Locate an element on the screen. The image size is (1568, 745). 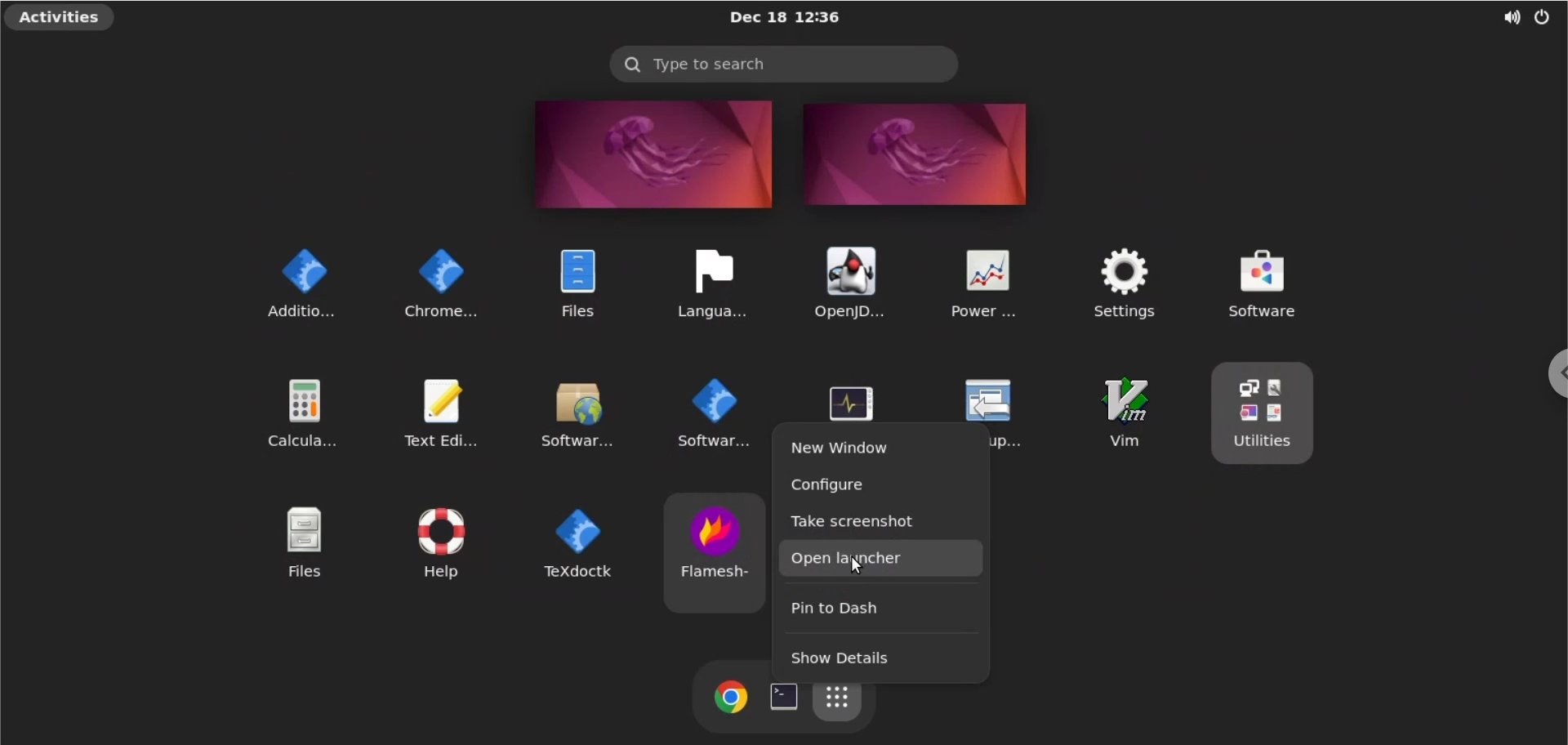
openJD is located at coordinates (844, 282).